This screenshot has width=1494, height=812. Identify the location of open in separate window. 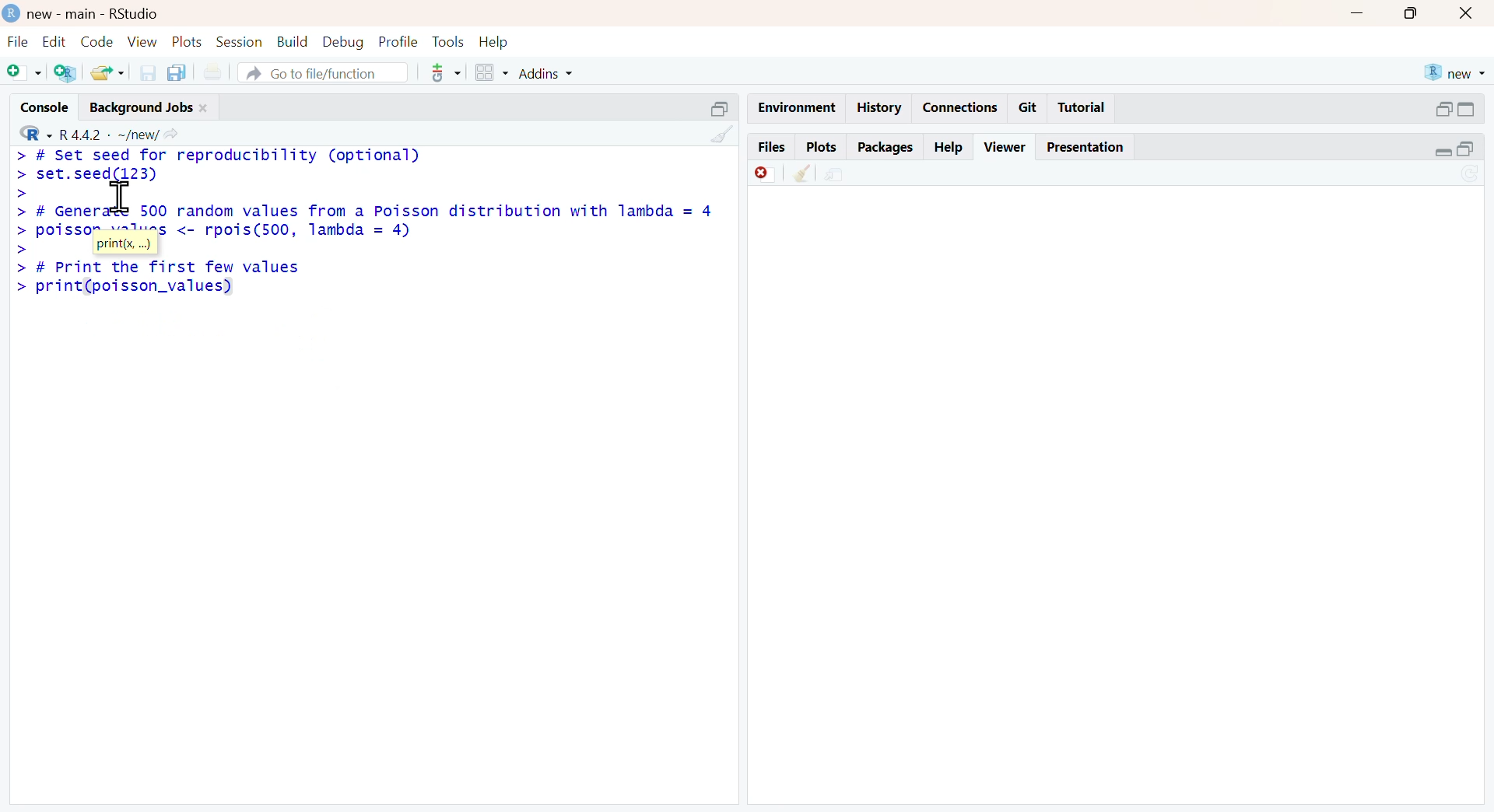
(1466, 149).